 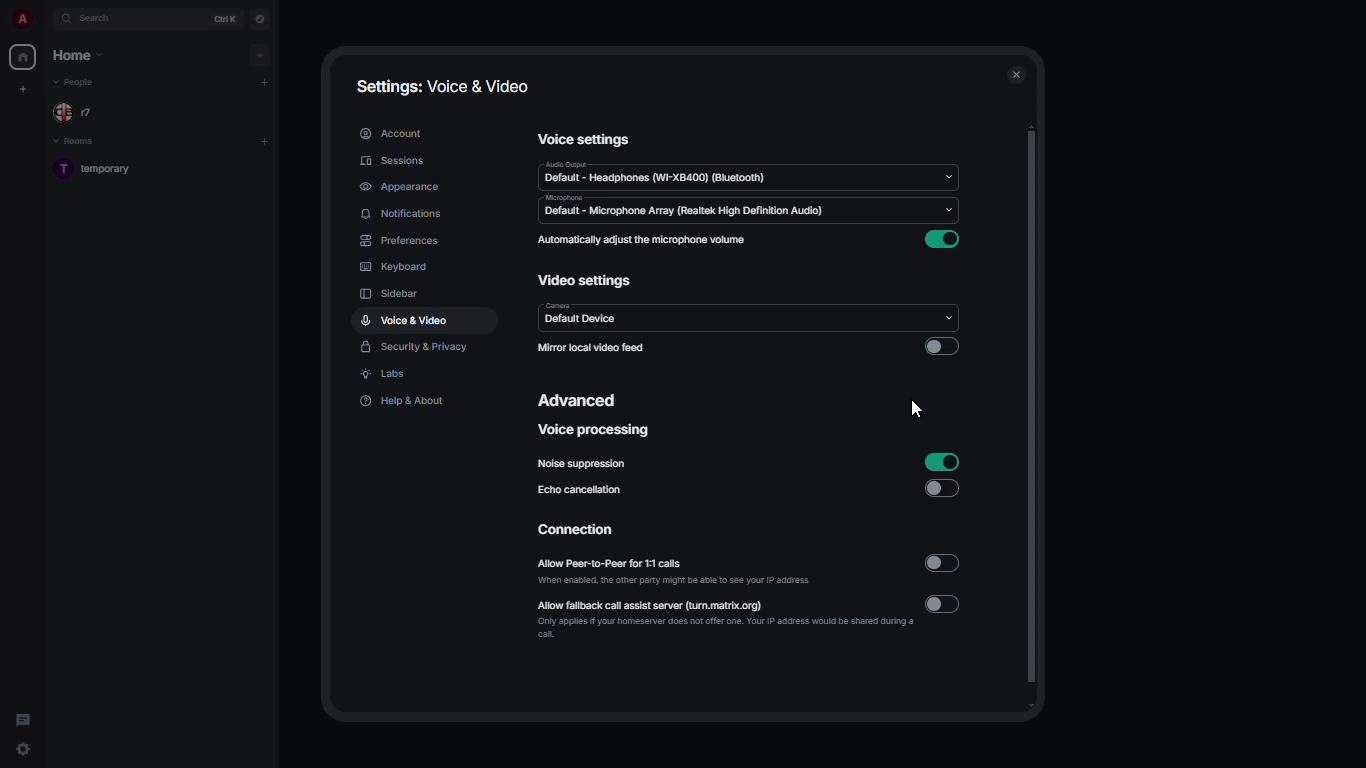 What do you see at coordinates (224, 19) in the screenshot?
I see `ctrl K` at bounding box center [224, 19].